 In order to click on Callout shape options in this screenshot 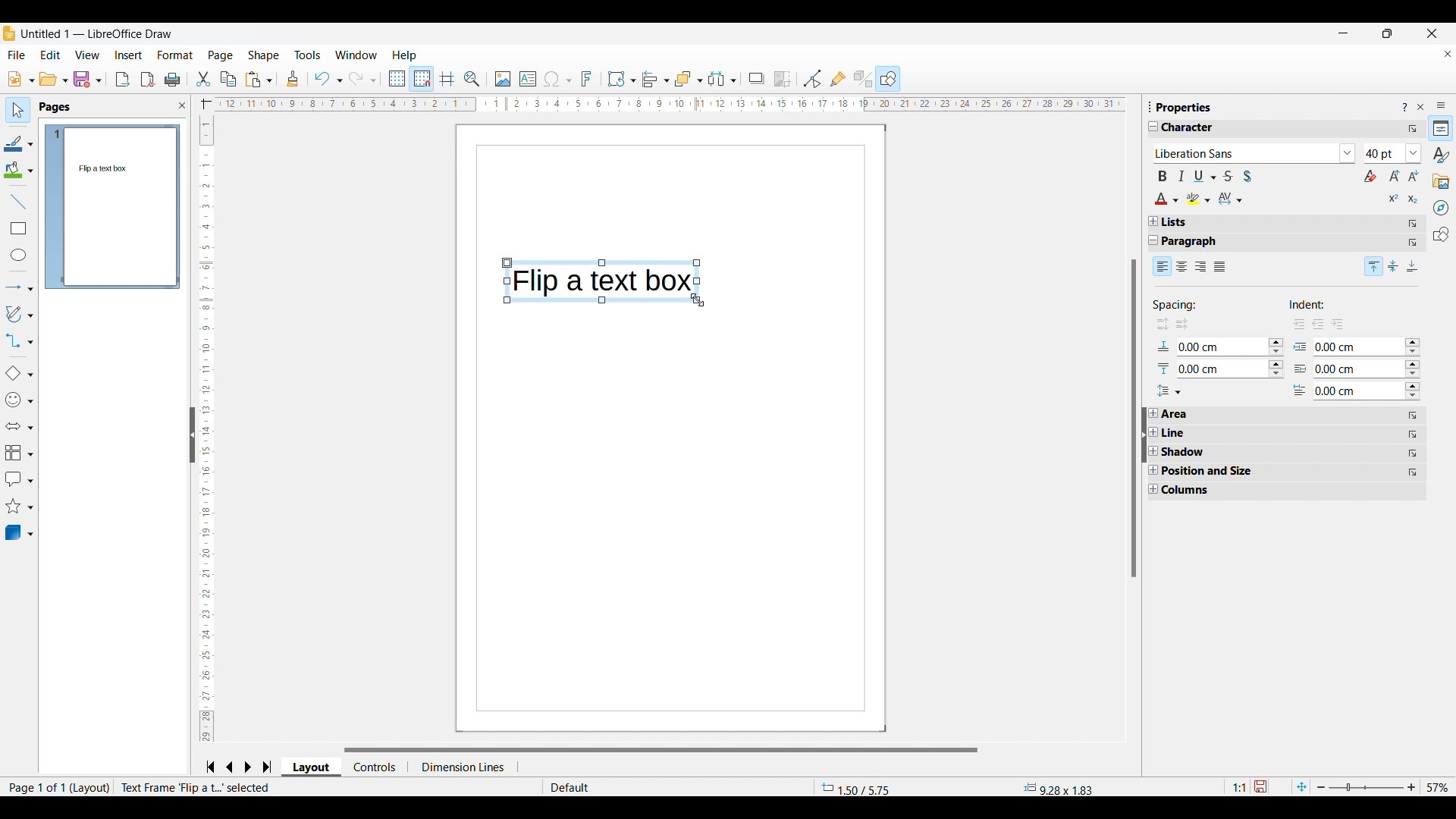, I will do `click(19, 479)`.